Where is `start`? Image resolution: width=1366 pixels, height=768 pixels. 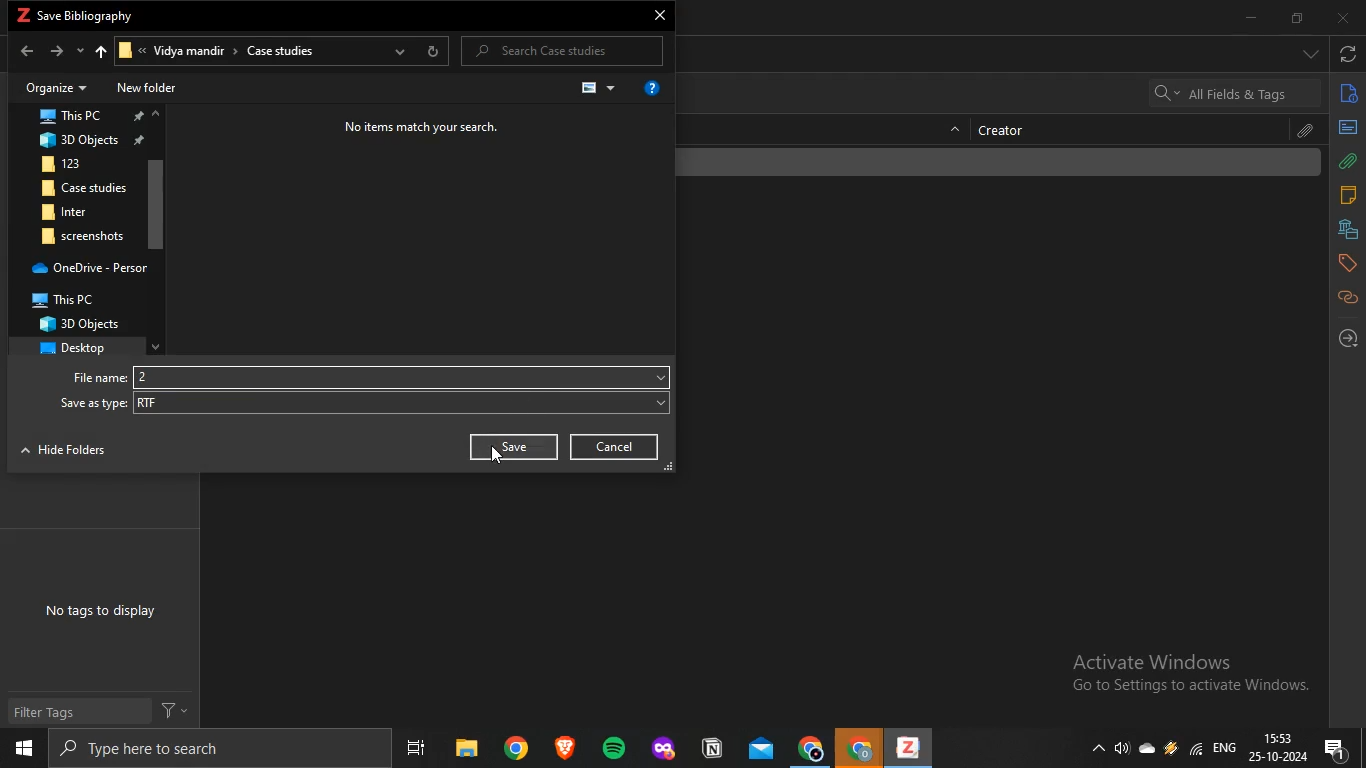
start is located at coordinates (24, 750).